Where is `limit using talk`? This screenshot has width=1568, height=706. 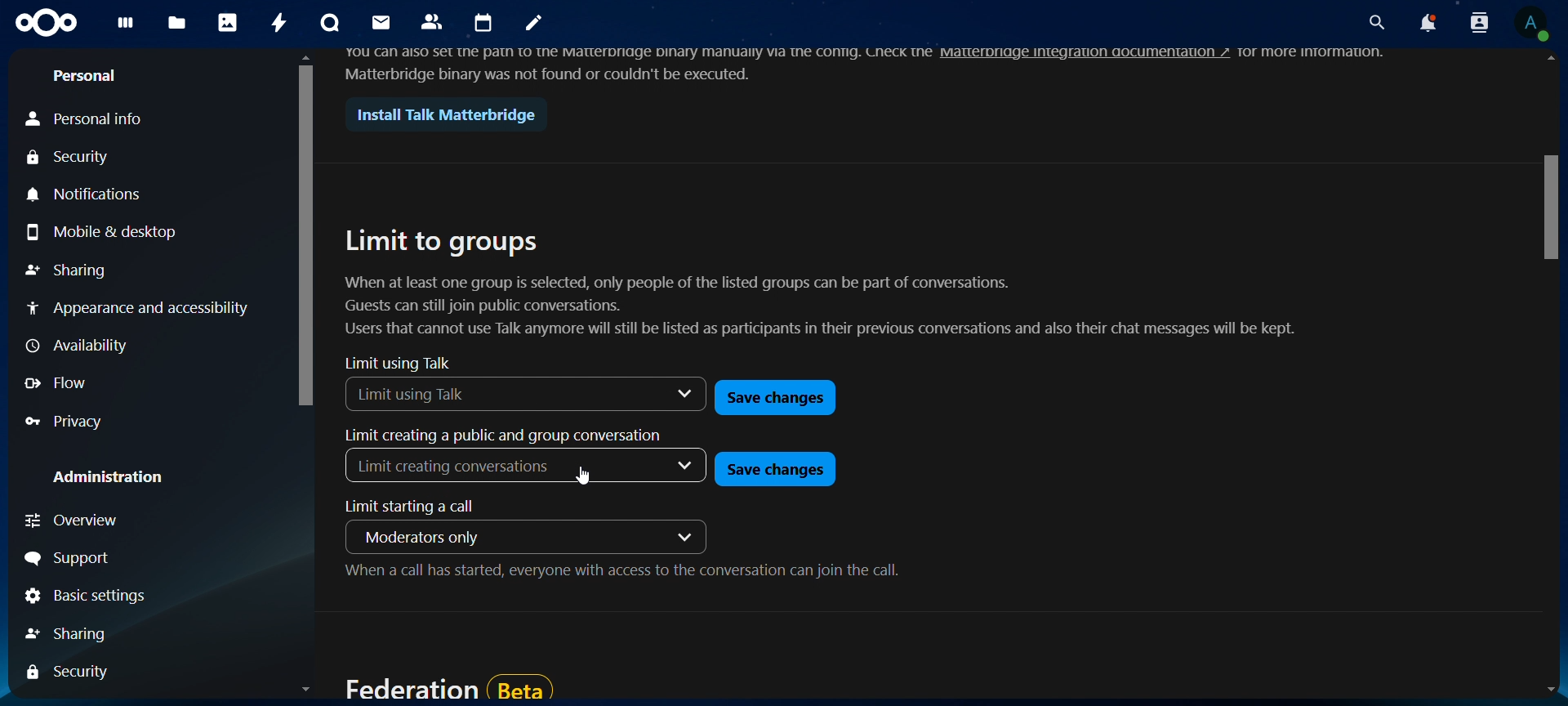 limit using talk is located at coordinates (402, 364).